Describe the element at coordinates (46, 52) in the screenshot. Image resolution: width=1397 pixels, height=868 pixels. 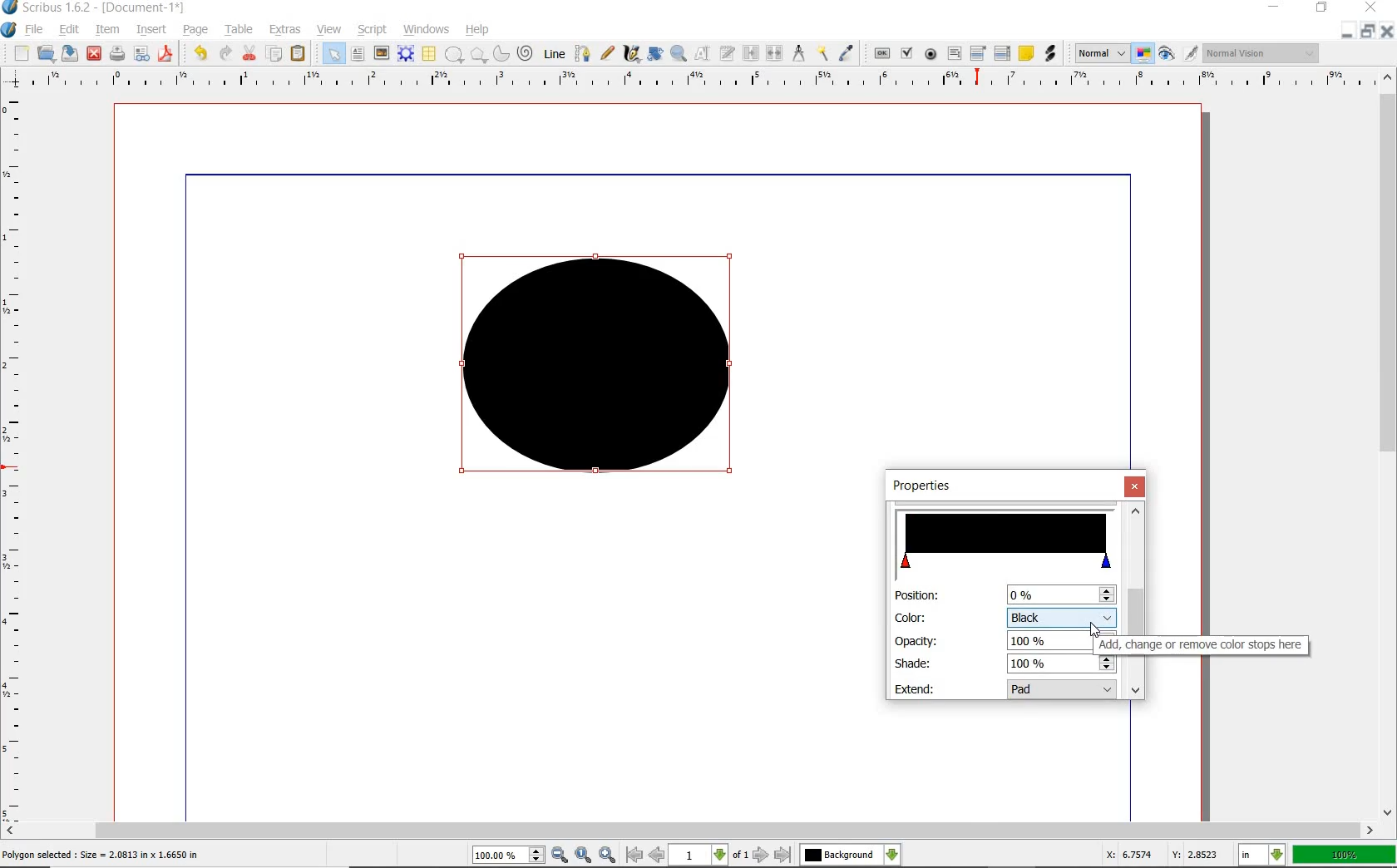
I see `OPEN` at that location.